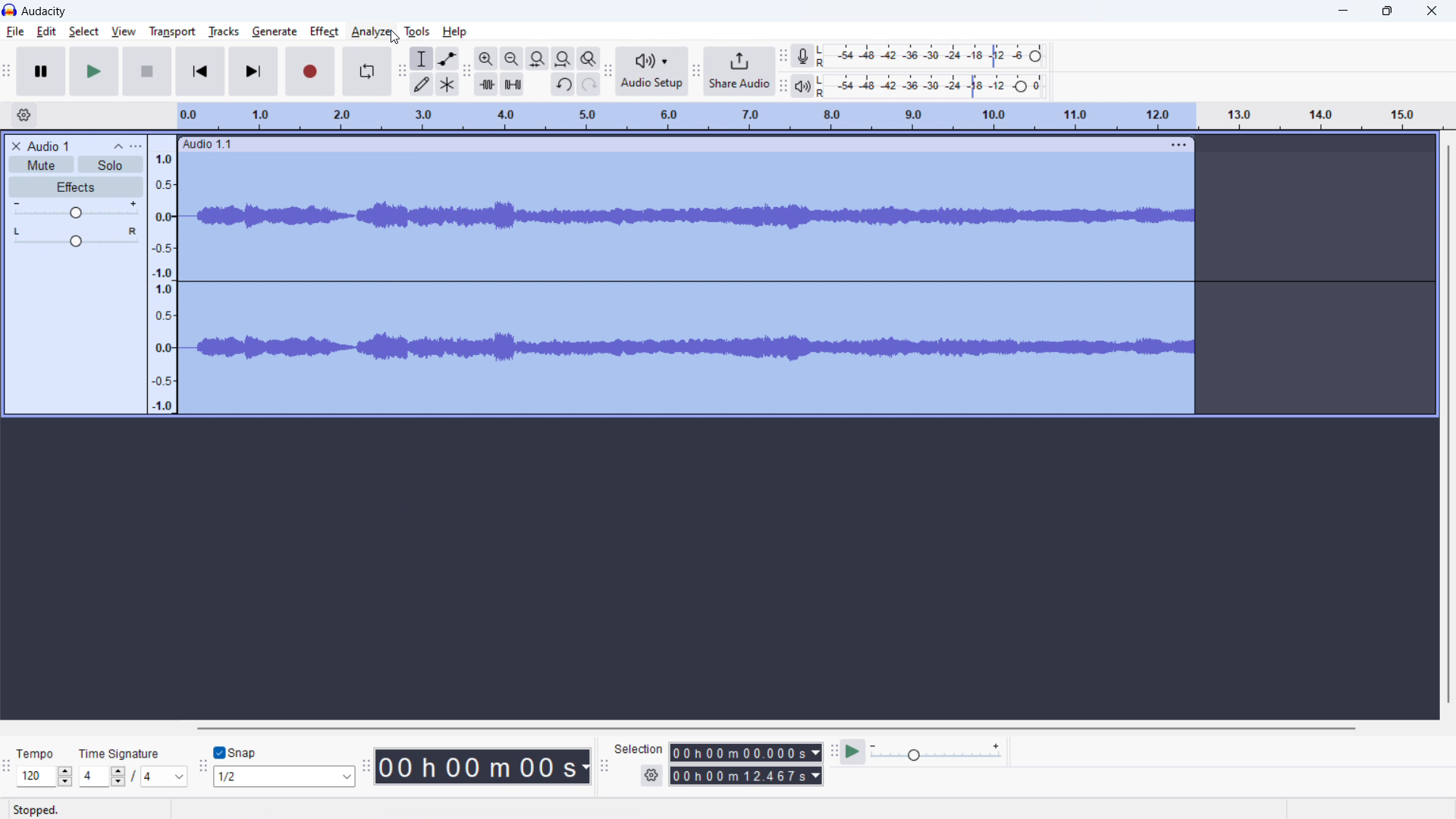  Describe the element at coordinates (1177, 145) in the screenshot. I see `track options` at that location.